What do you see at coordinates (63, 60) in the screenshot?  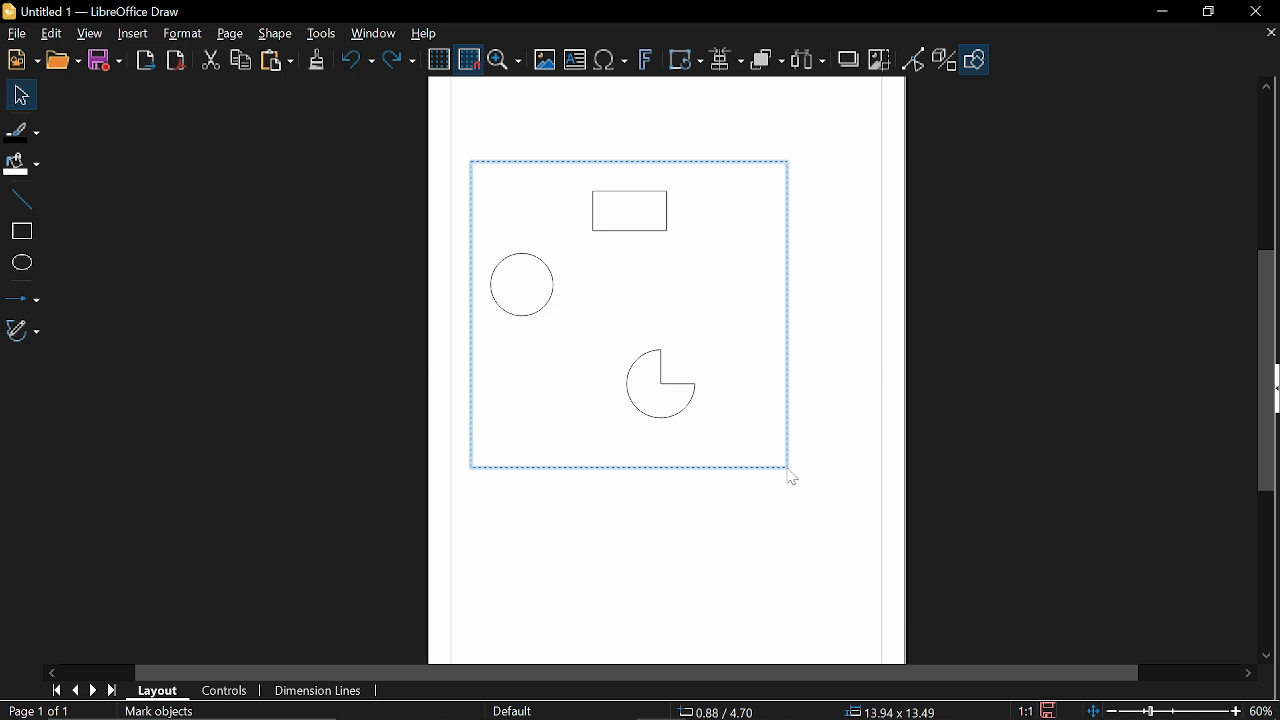 I see `Open` at bounding box center [63, 60].